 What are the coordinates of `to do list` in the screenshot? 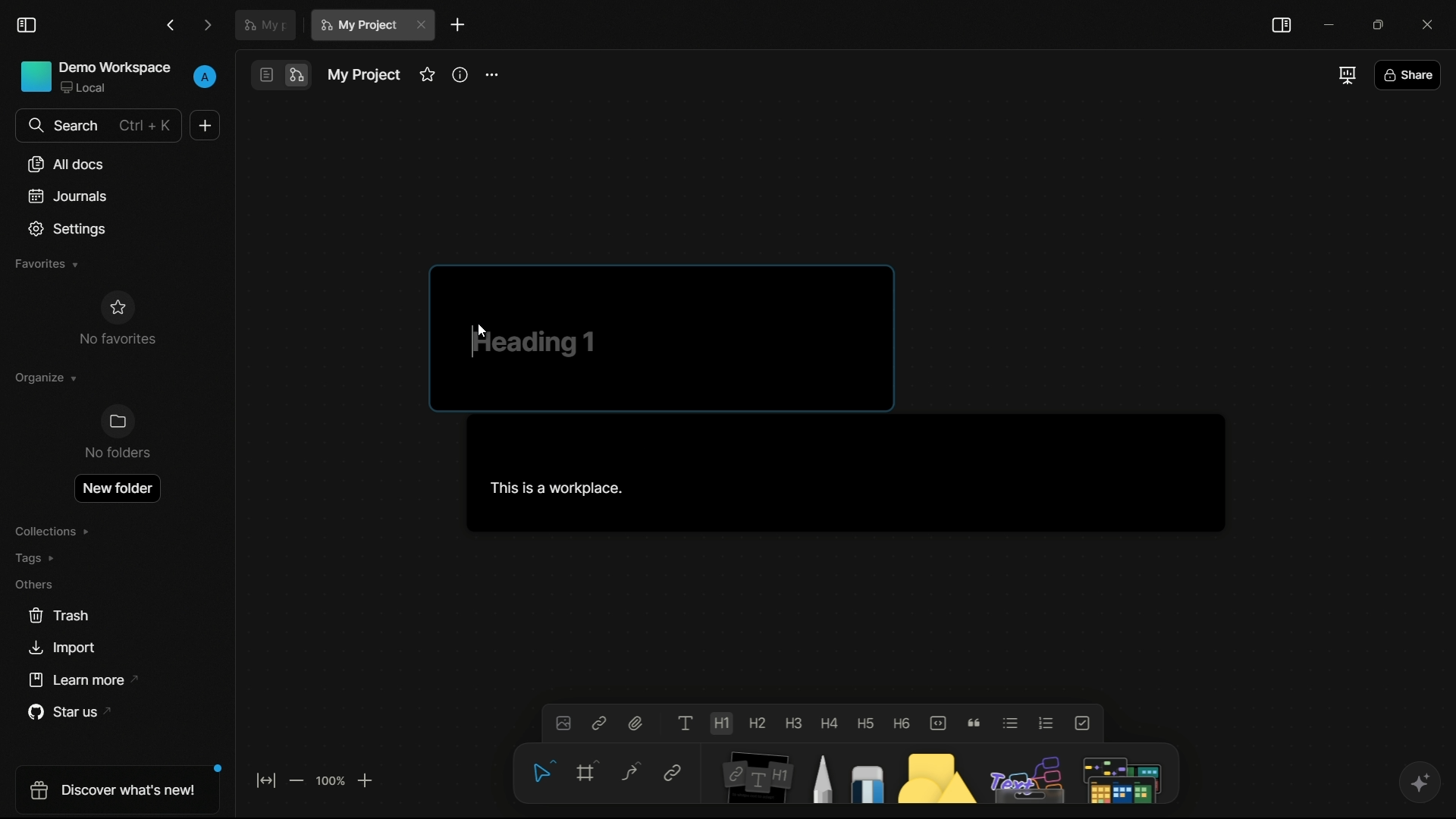 It's located at (1082, 720).